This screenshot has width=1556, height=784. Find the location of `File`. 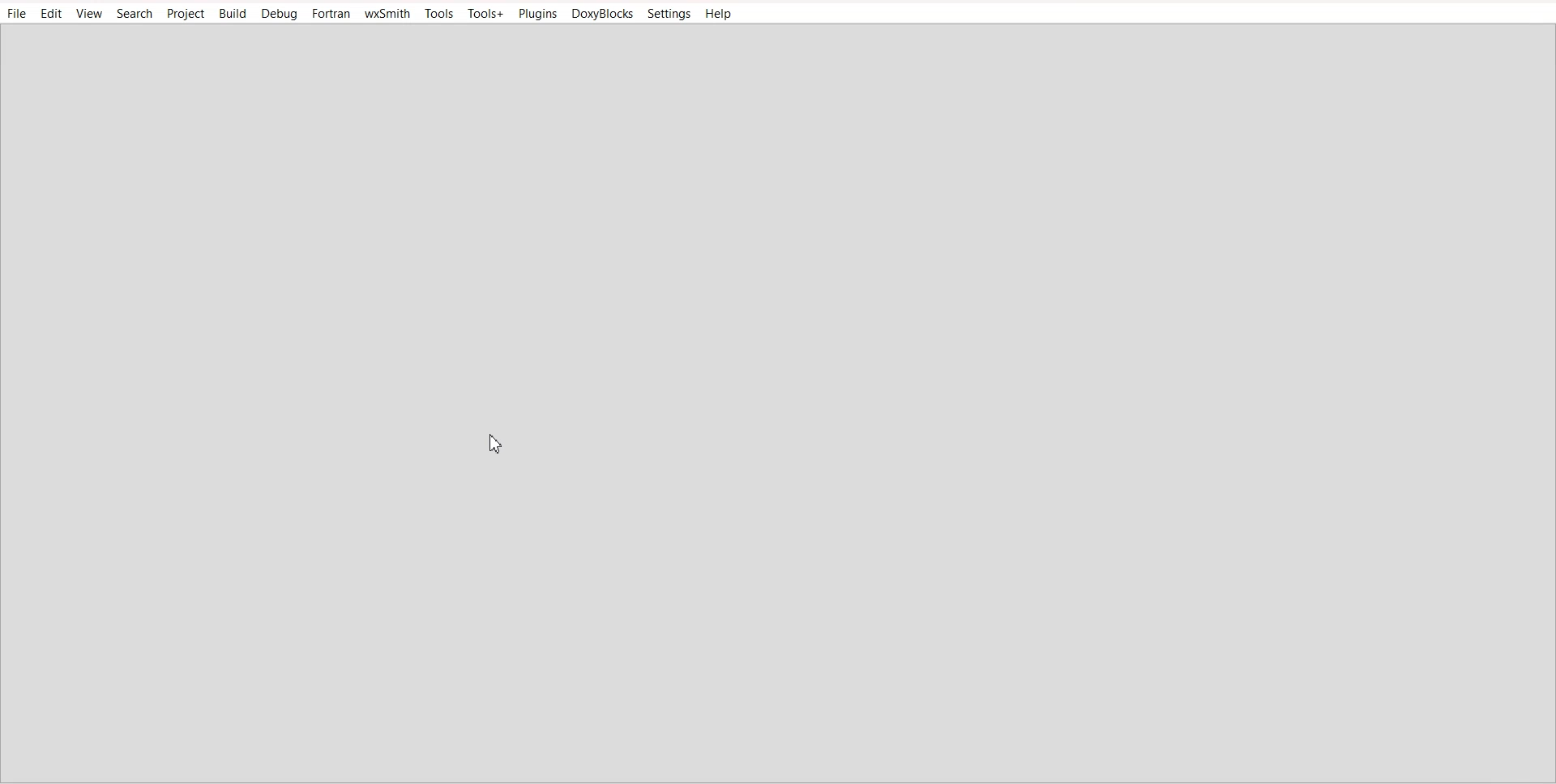

File is located at coordinates (15, 12).